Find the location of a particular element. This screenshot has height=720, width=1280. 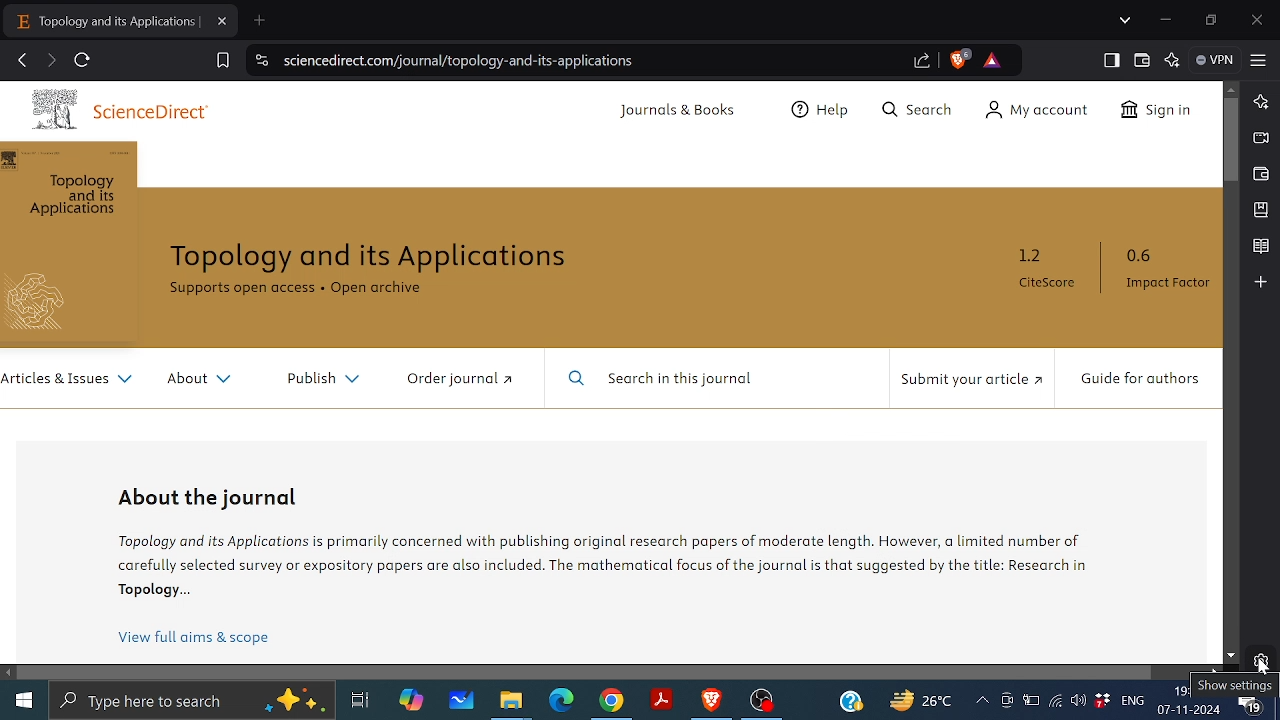

Submit your article is located at coordinates (976, 378).